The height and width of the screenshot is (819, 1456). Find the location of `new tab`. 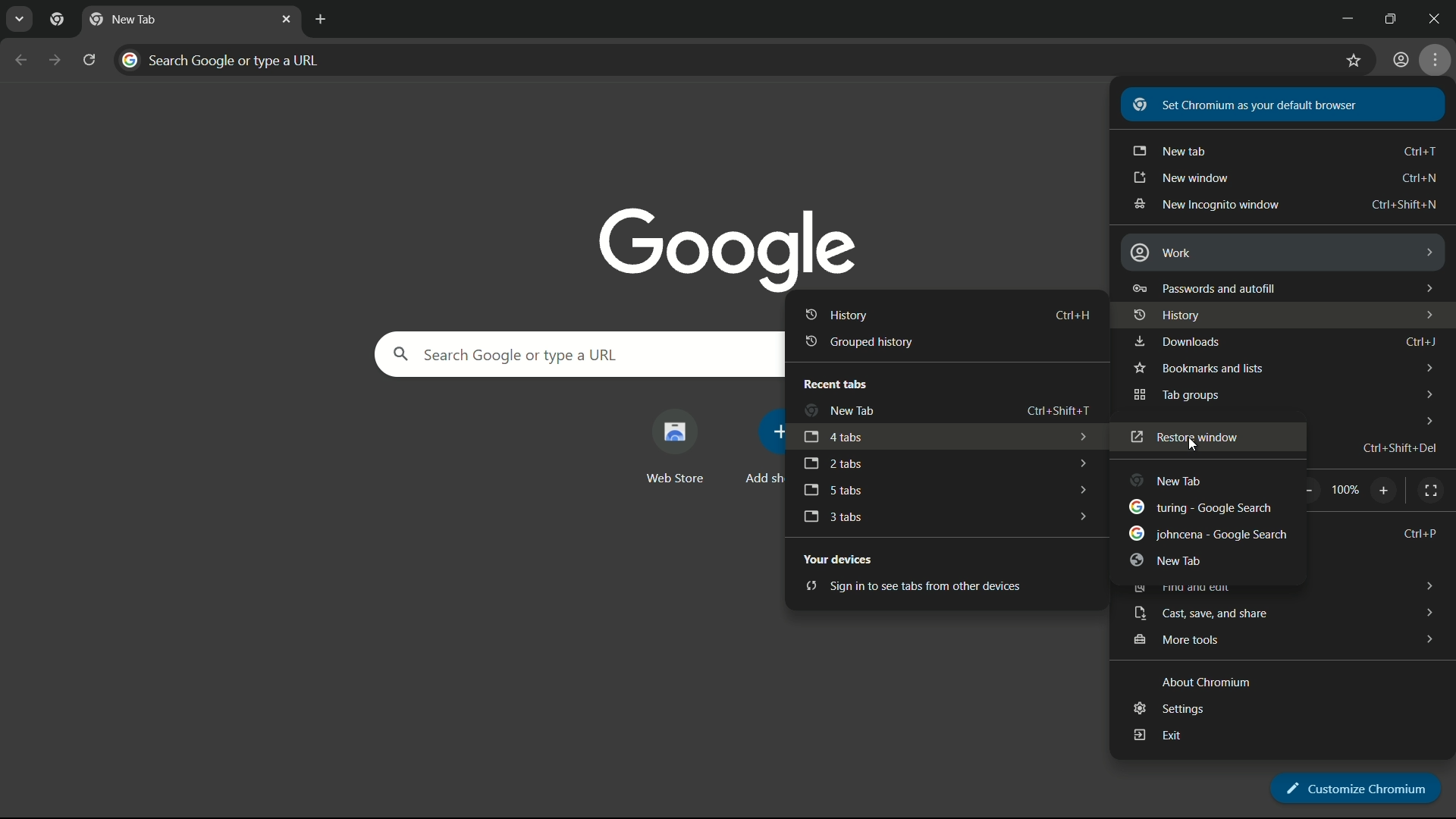

new tab is located at coordinates (318, 19).